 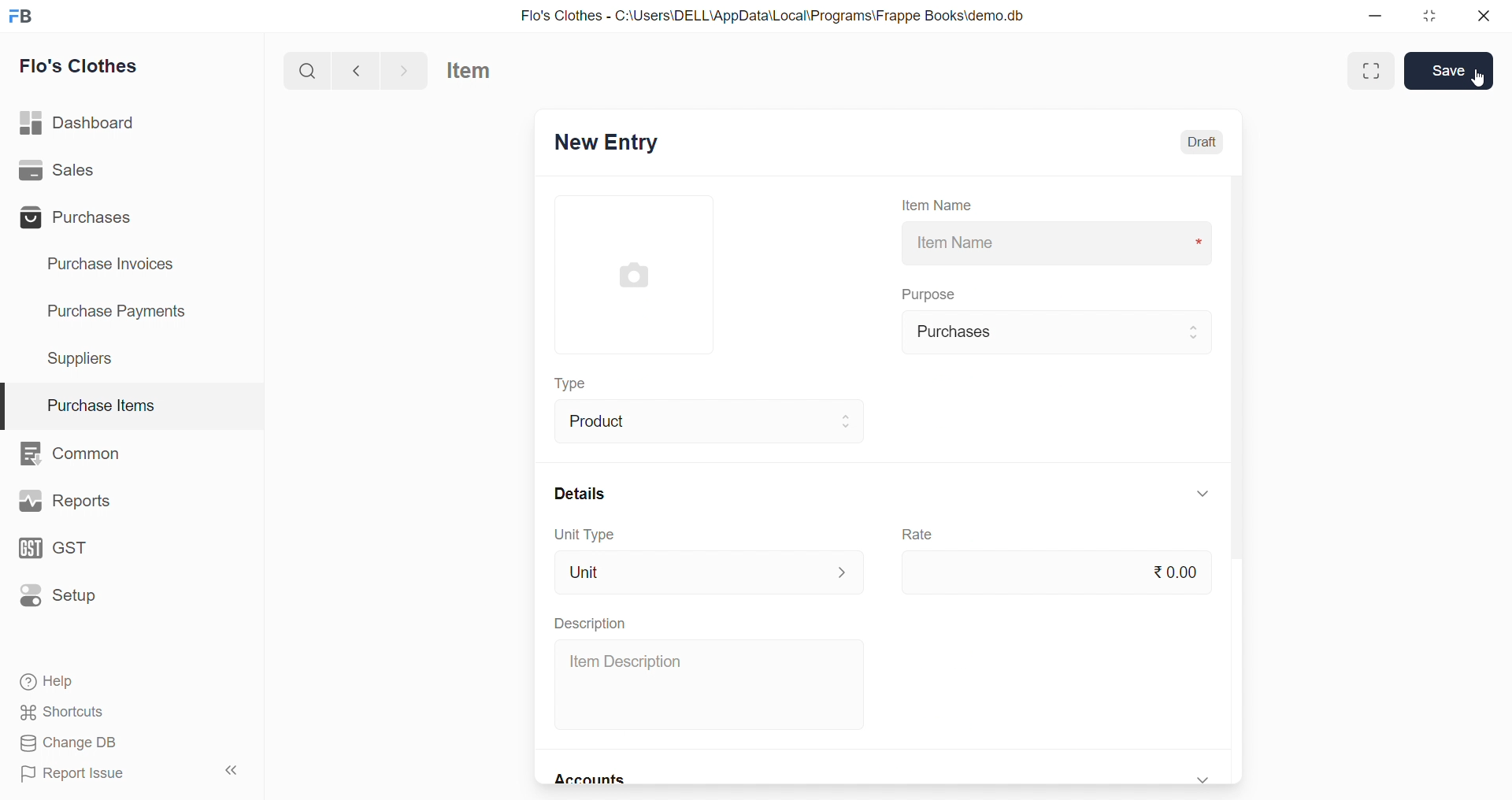 I want to click on navigate forward, so click(x=406, y=70).